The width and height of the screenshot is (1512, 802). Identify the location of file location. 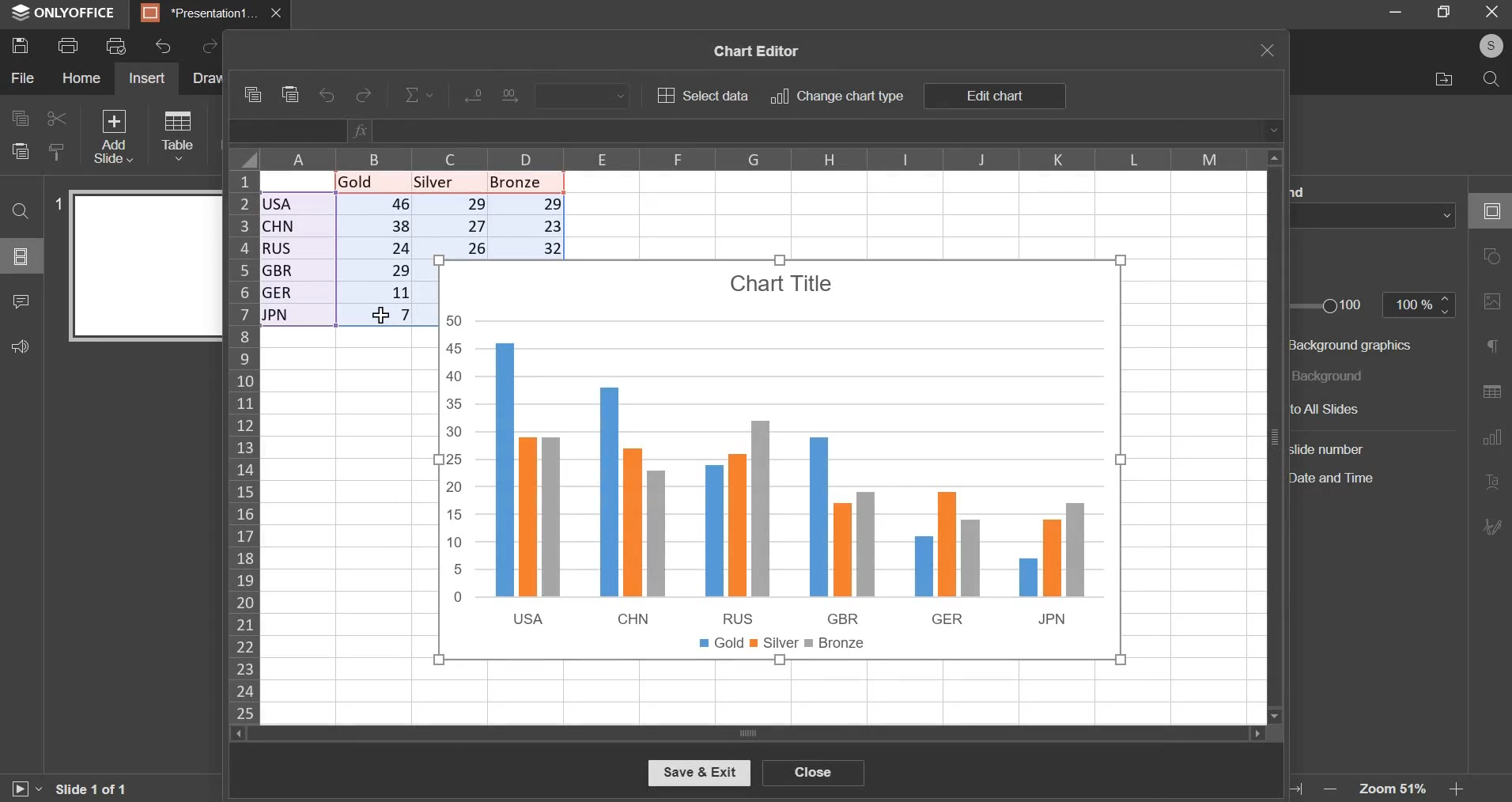
(1444, 78).